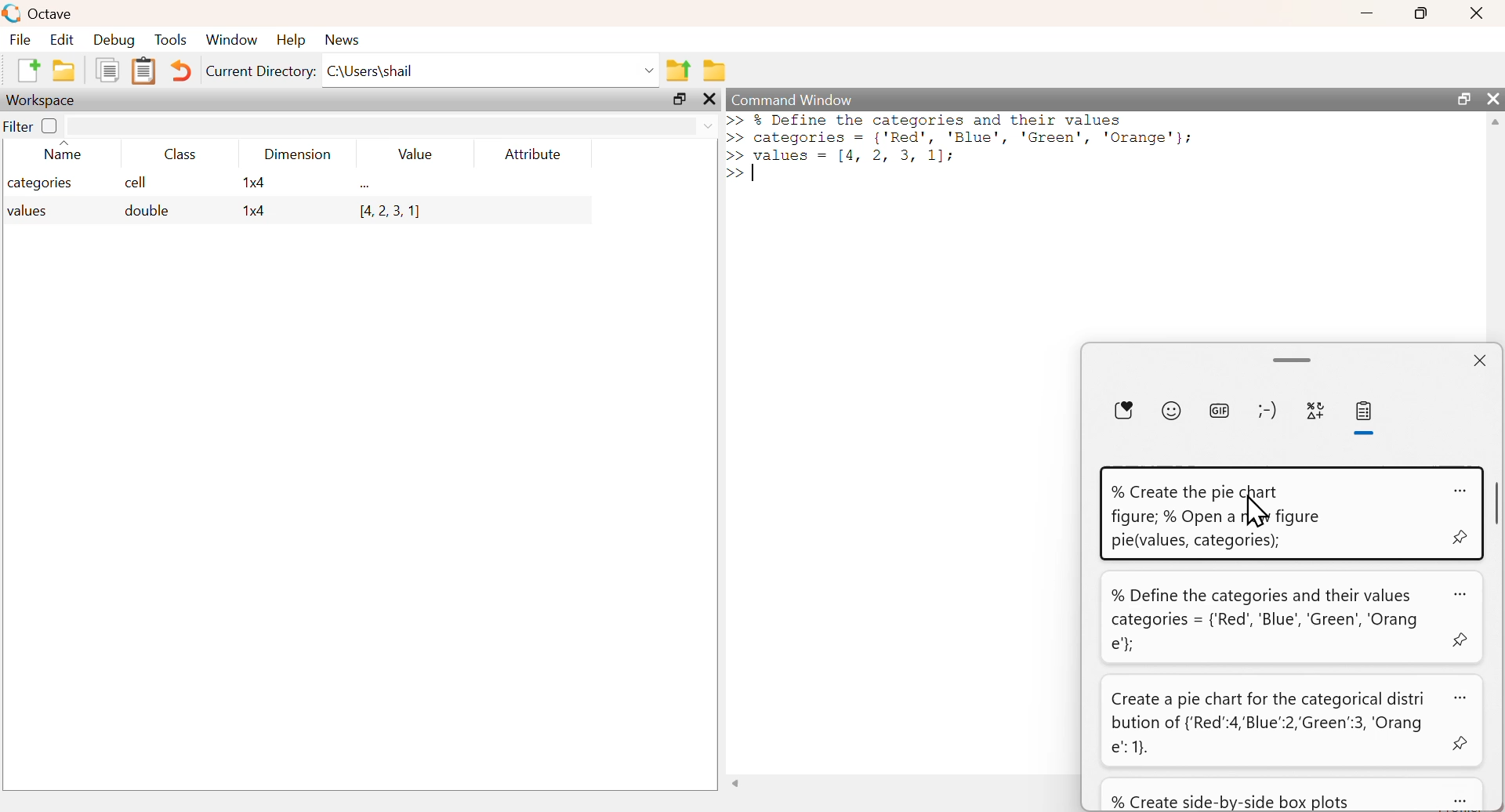  I want to click on % Create the pie chart
figure; % Open a new figure
pie(values, categories);, so click(1217, 517).